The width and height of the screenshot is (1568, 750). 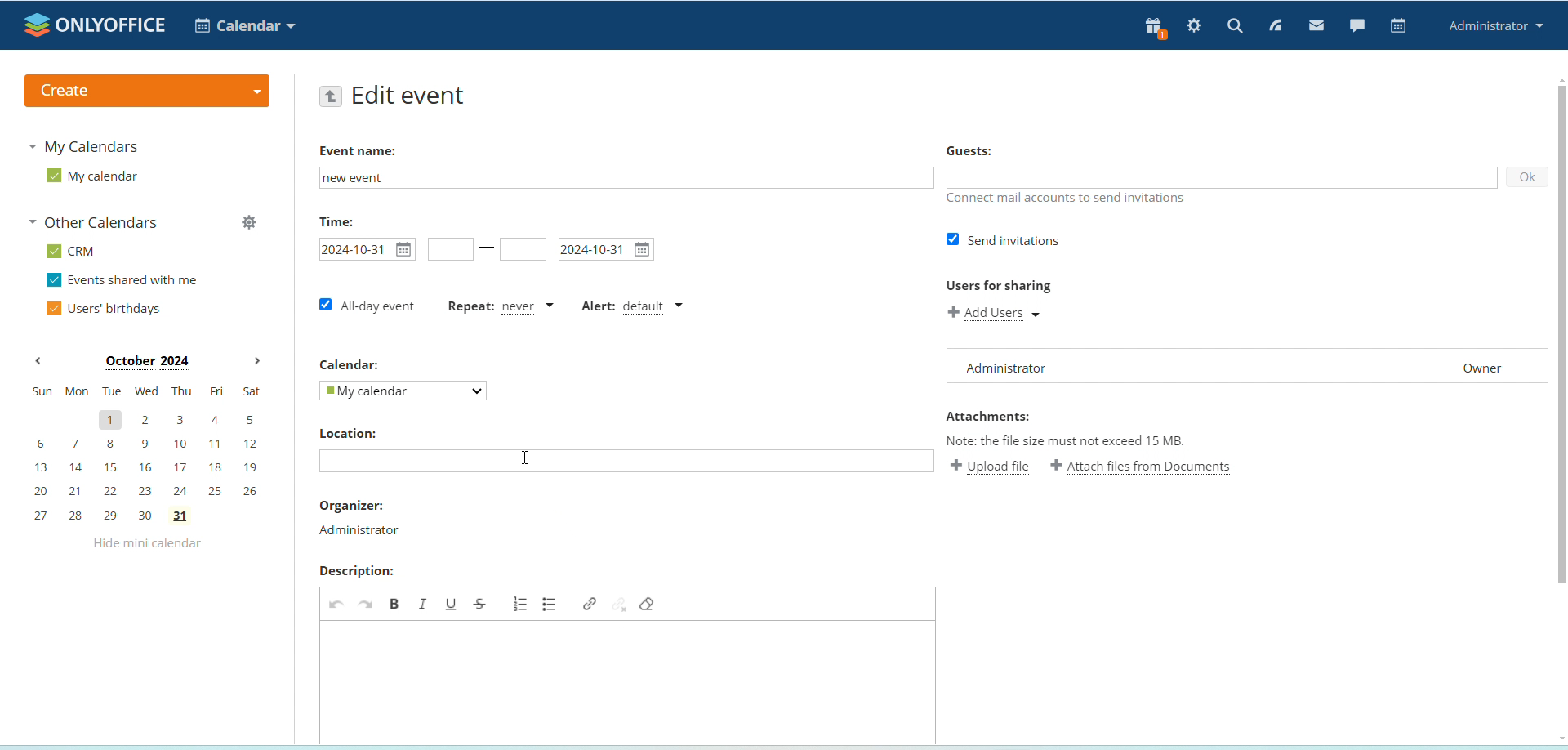 I want to click on feed, so click(x=1276, y=27).